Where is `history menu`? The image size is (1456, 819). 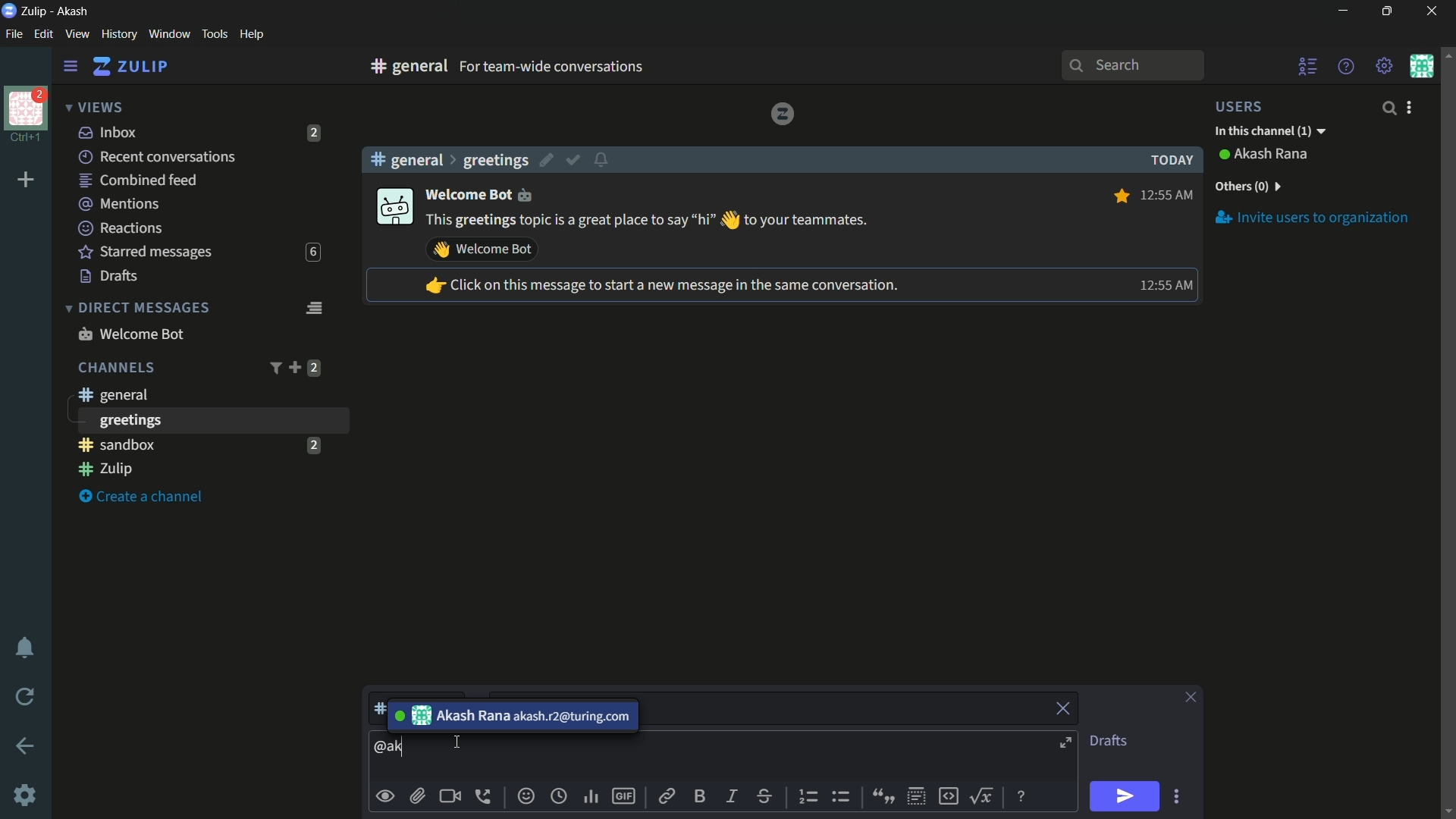
history menu is located at coordinates (119, 33).